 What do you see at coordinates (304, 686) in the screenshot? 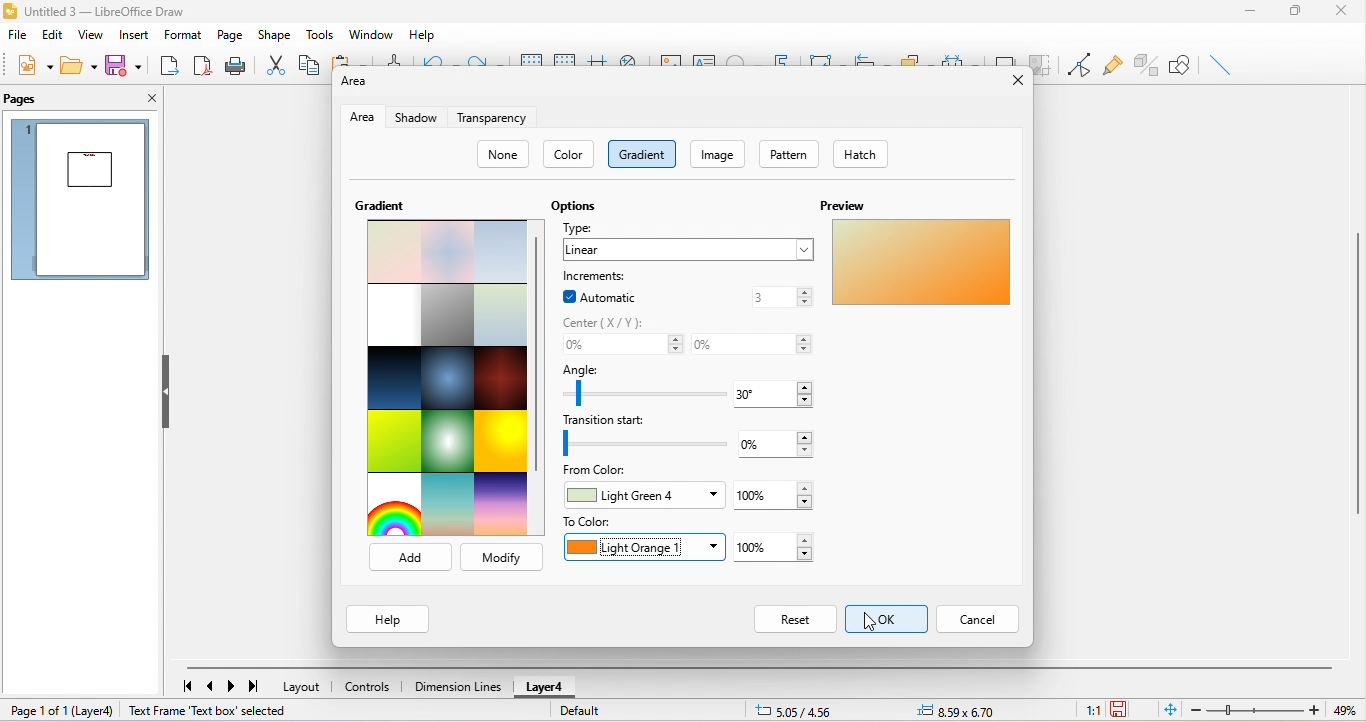
I see `layout` at bounding box center [304, 686].